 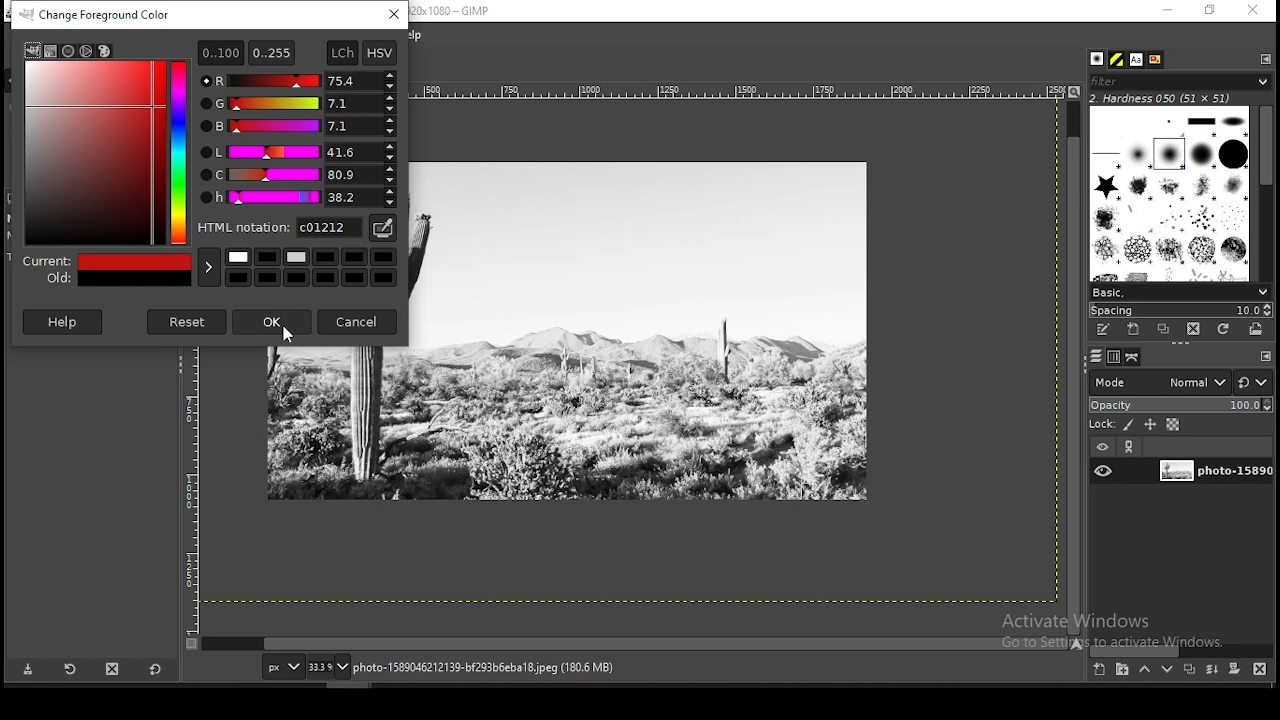 What do you see at coordinates (1252, 10) in the screenshot?
I see `close window` at bounding box center [1252, 10].